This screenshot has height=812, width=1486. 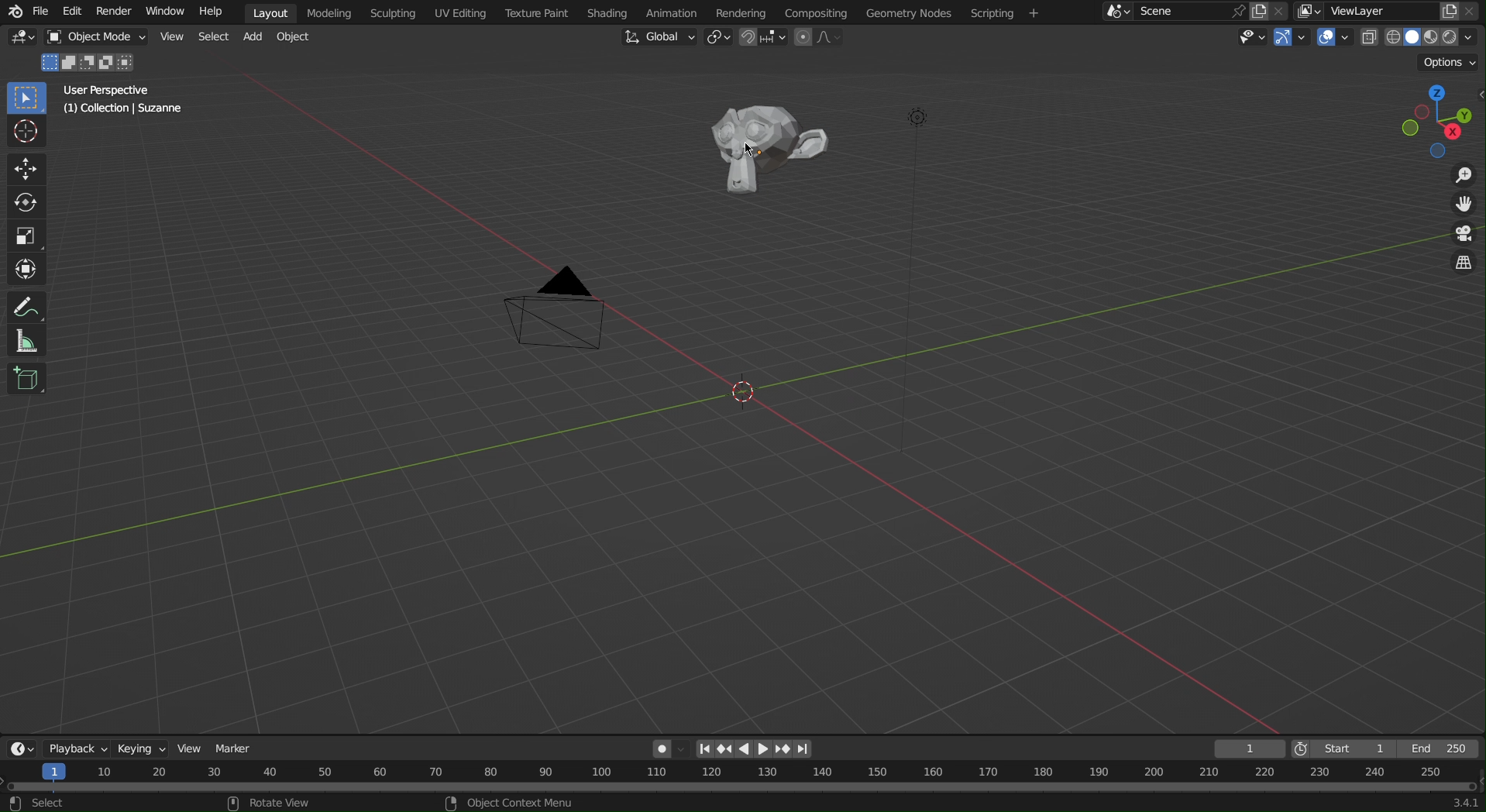 What do you see at coordinates (1463, 176) in the screenshot?
I see `Zoom` at bounding box center [1463, 176].